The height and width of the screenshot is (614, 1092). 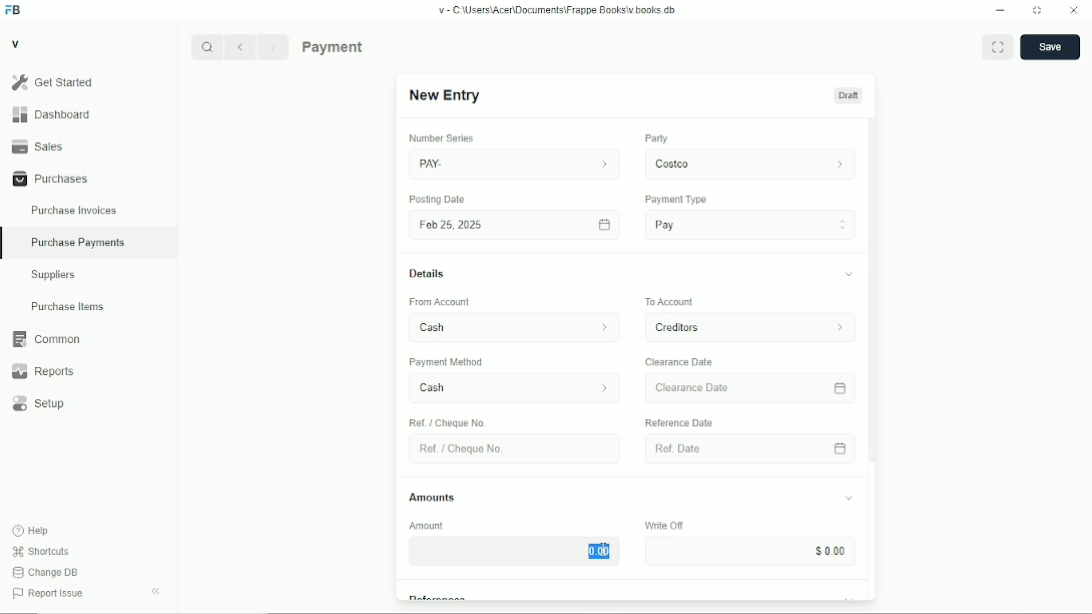 I want to click on Fob 25,2025, so click(x=511, y=224).